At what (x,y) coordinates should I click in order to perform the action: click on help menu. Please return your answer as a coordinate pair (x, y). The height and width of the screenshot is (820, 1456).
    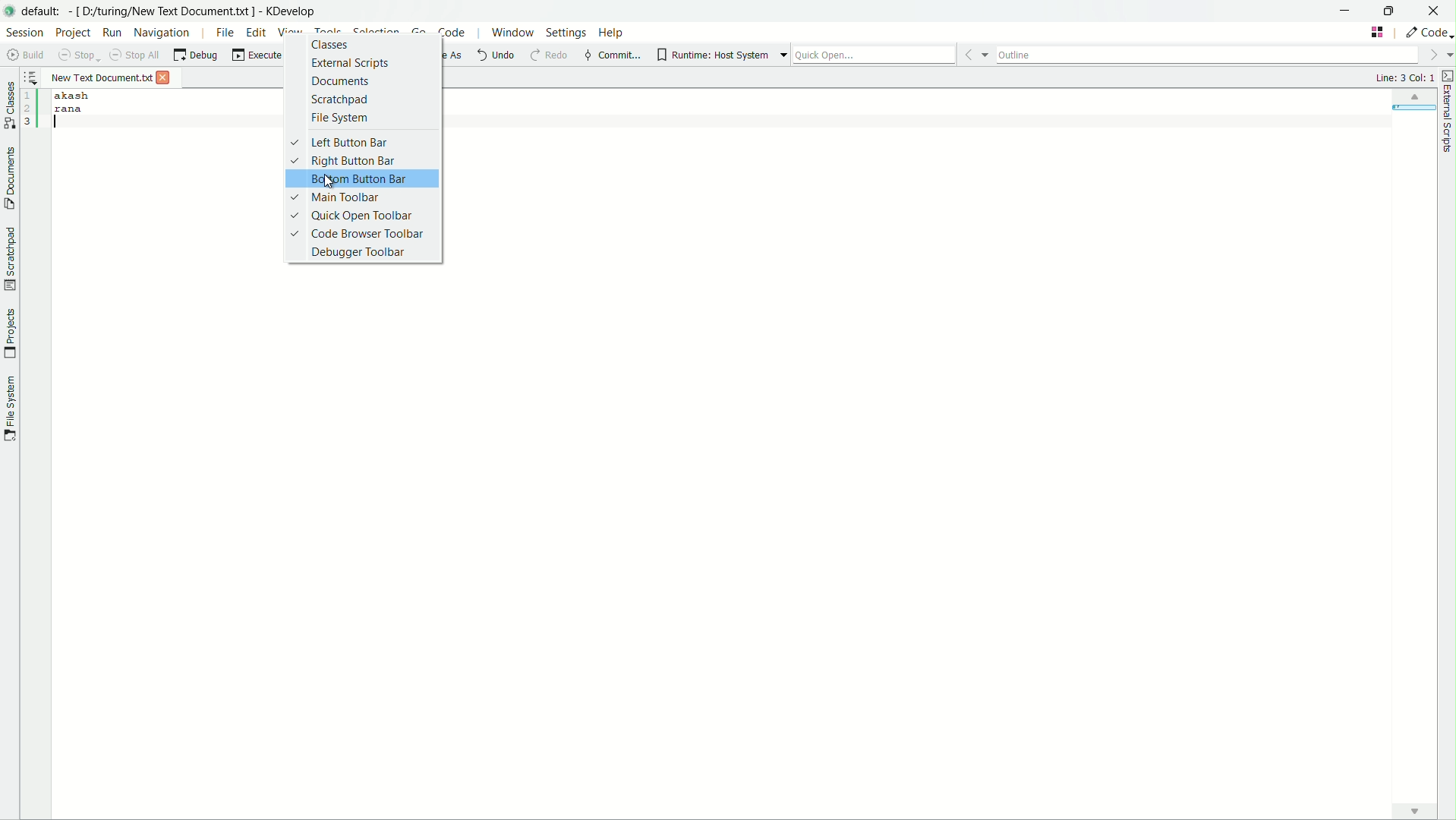
    Looking at the image, I should click on (613, 33).